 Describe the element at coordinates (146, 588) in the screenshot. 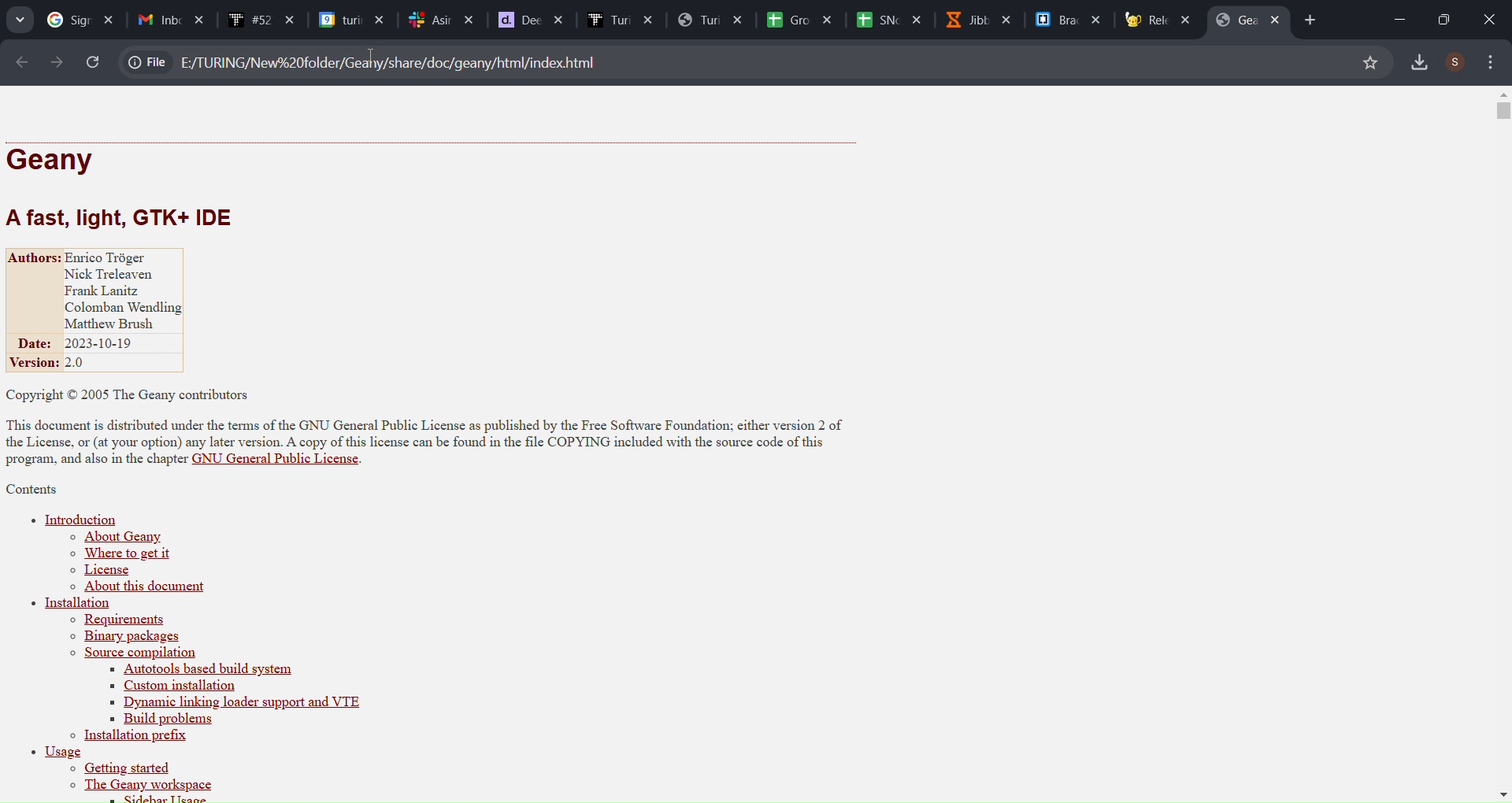

I see `about the document` at that location.